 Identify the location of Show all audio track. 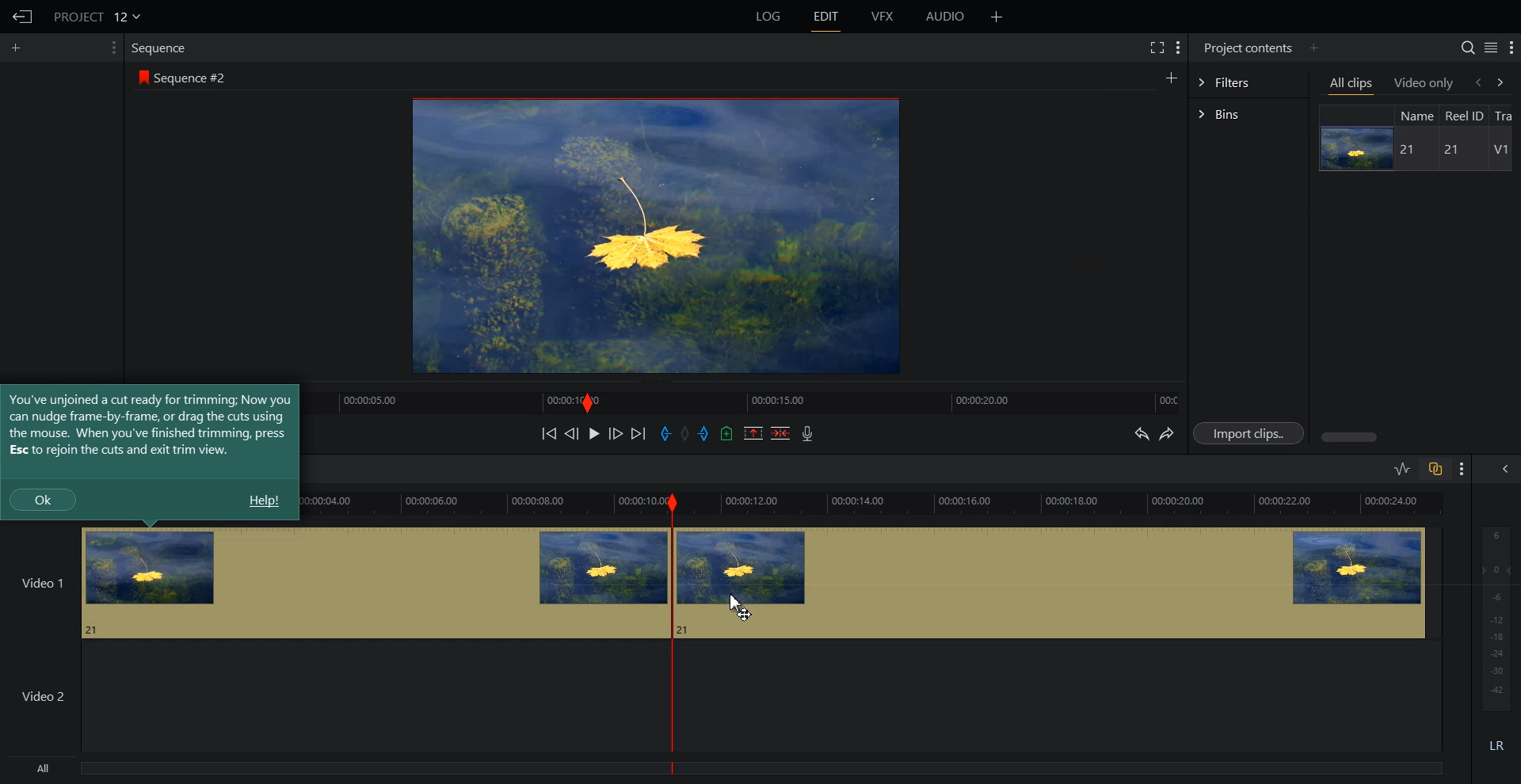
(1506, 469).